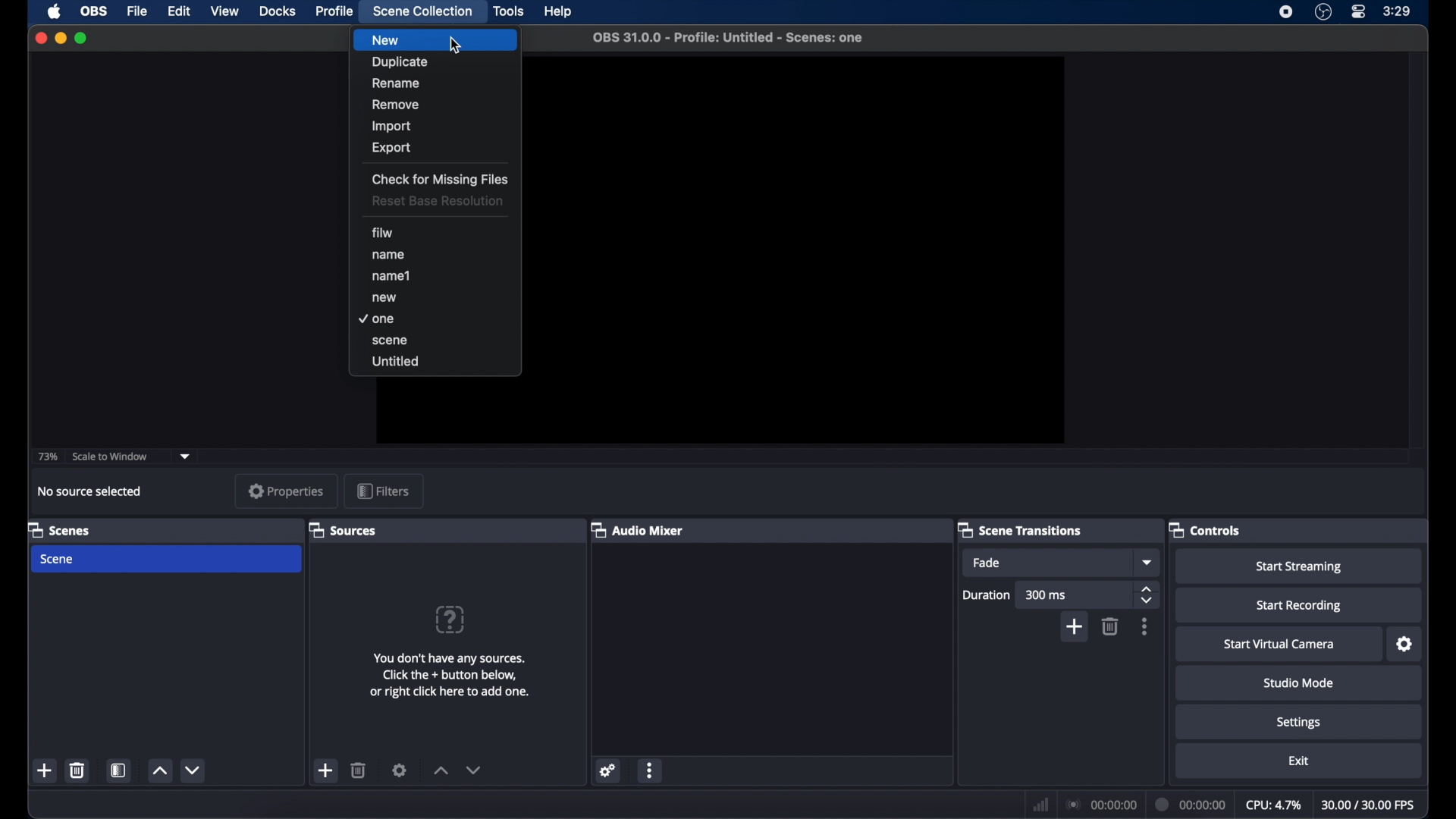 This screenshot has width=1456, height=819. What do you see at coordinates (438, 770) in the screenshot?
I see `increment` at bounding box center [438, 770].